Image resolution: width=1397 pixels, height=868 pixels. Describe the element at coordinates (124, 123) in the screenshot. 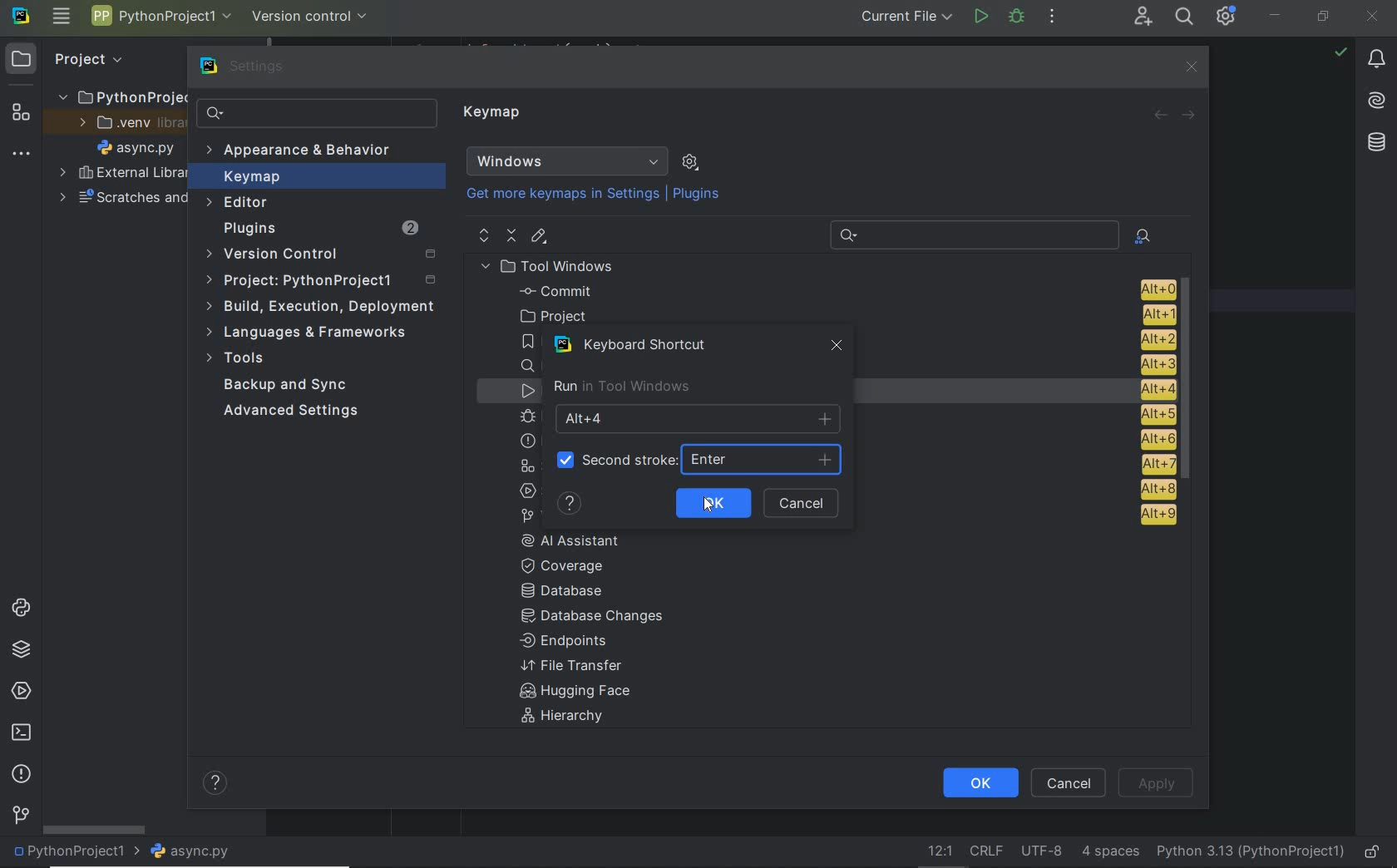

I see `.venv` at that location.